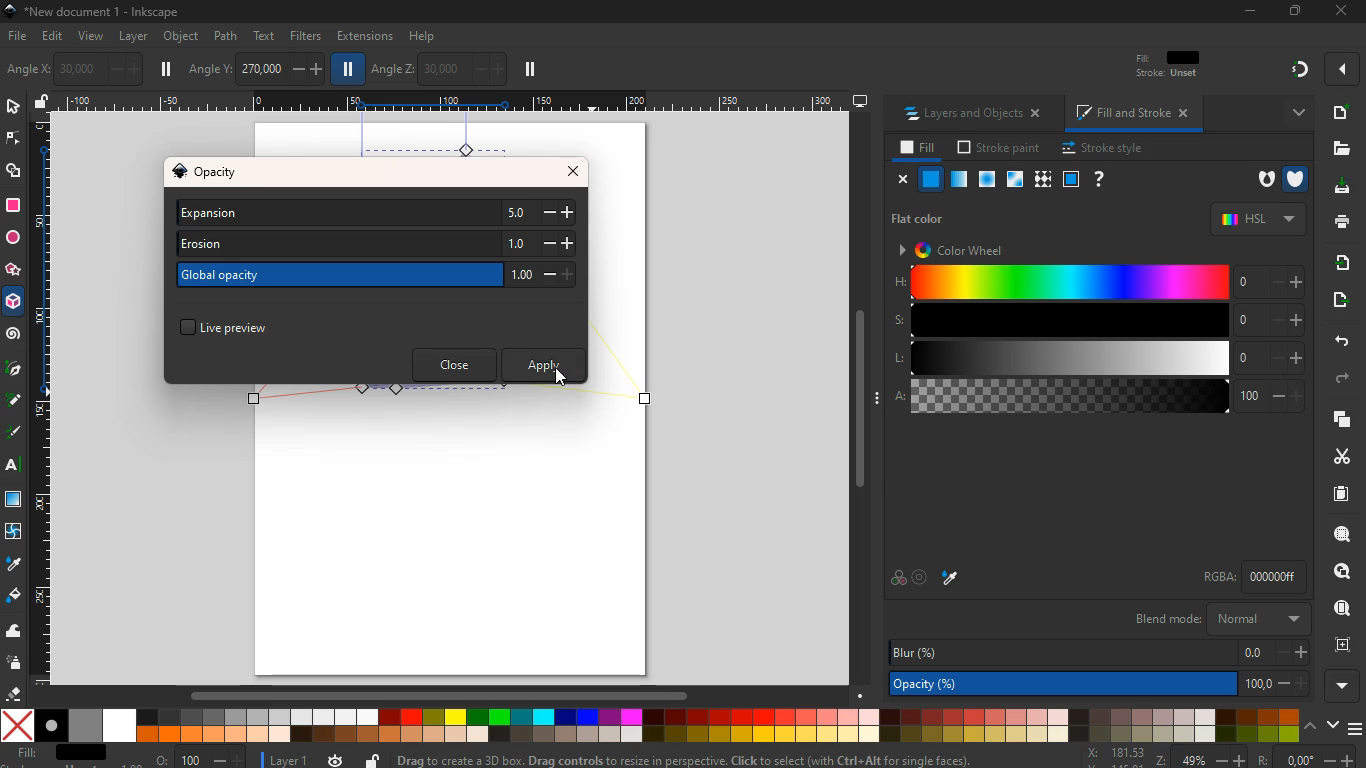 This screenshot has height=768, width=1366. What do you see at coordinates (226, 35) in the screenshot?
I see `path` at bounding box center [226, 35].